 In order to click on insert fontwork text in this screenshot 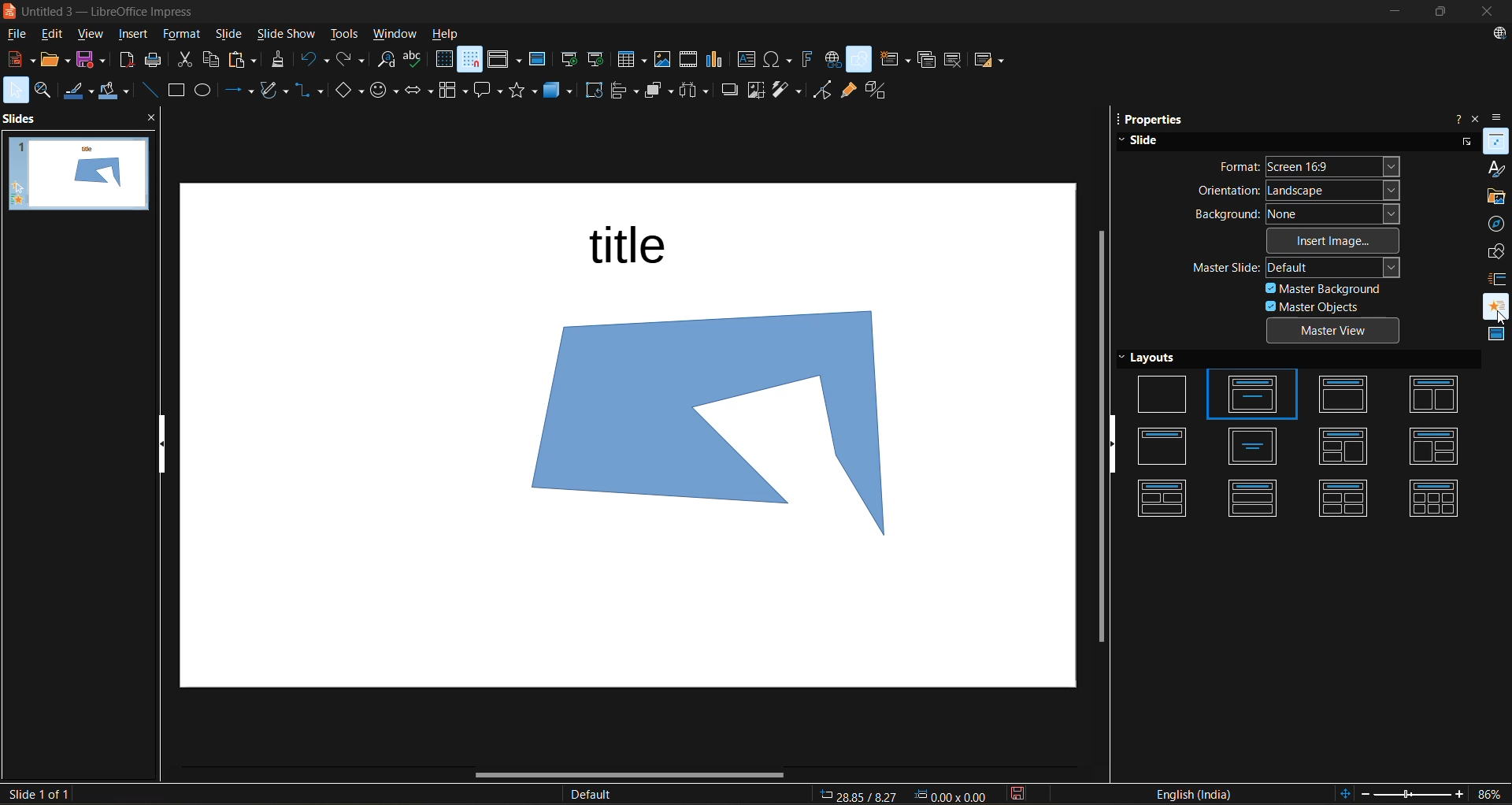, I will do `click(806, 61)`.